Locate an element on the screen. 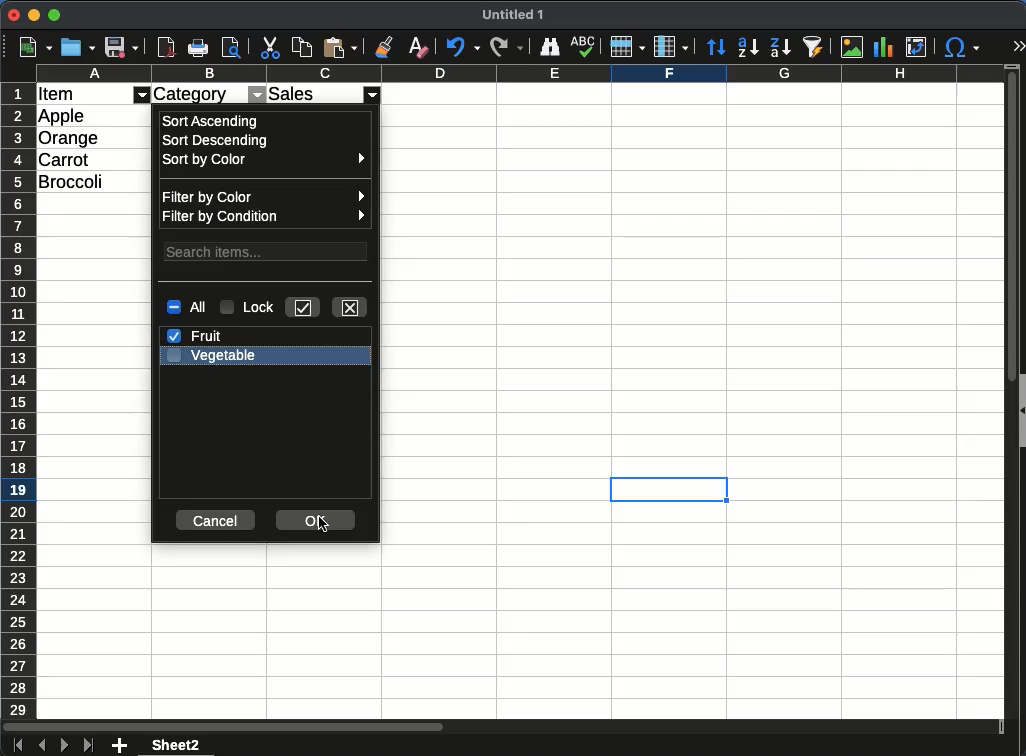 The width and height of the screenshot is (1026, 756). cut is located at coordinates (271, 48).